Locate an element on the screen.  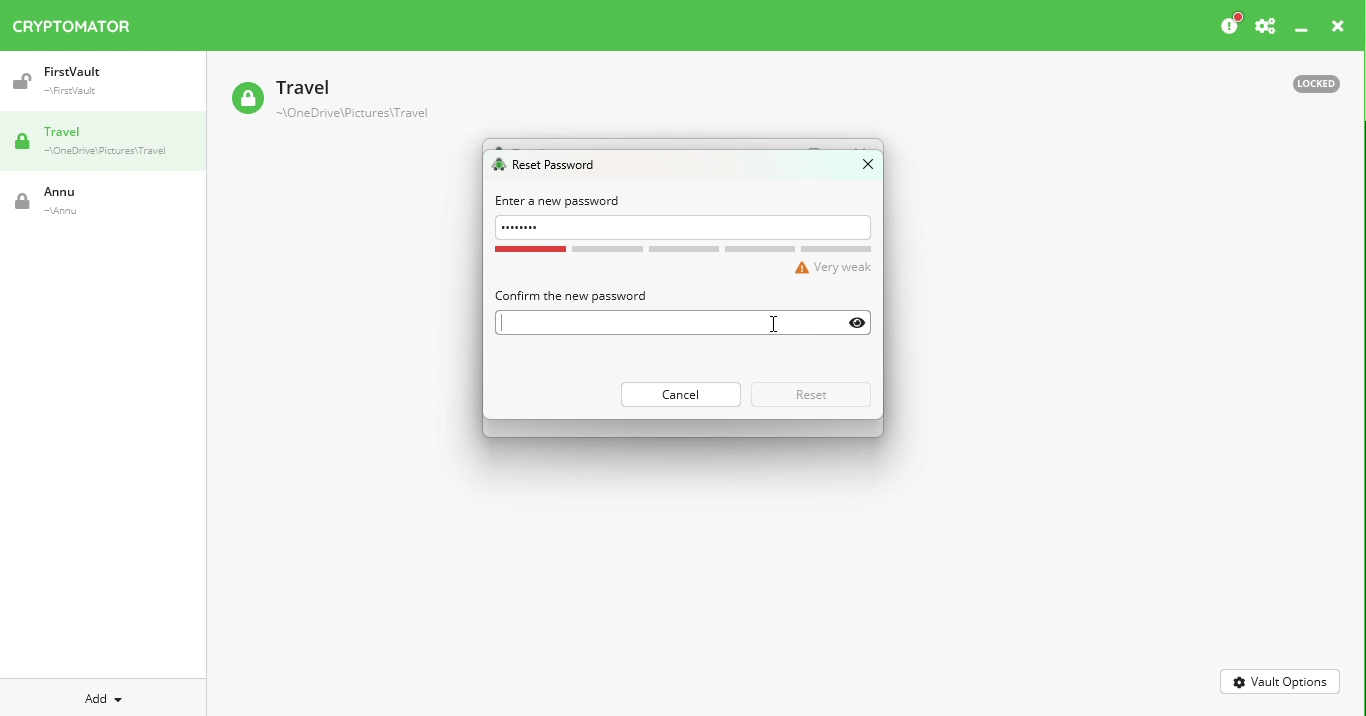
Vault is located at coordinates (93, 81).